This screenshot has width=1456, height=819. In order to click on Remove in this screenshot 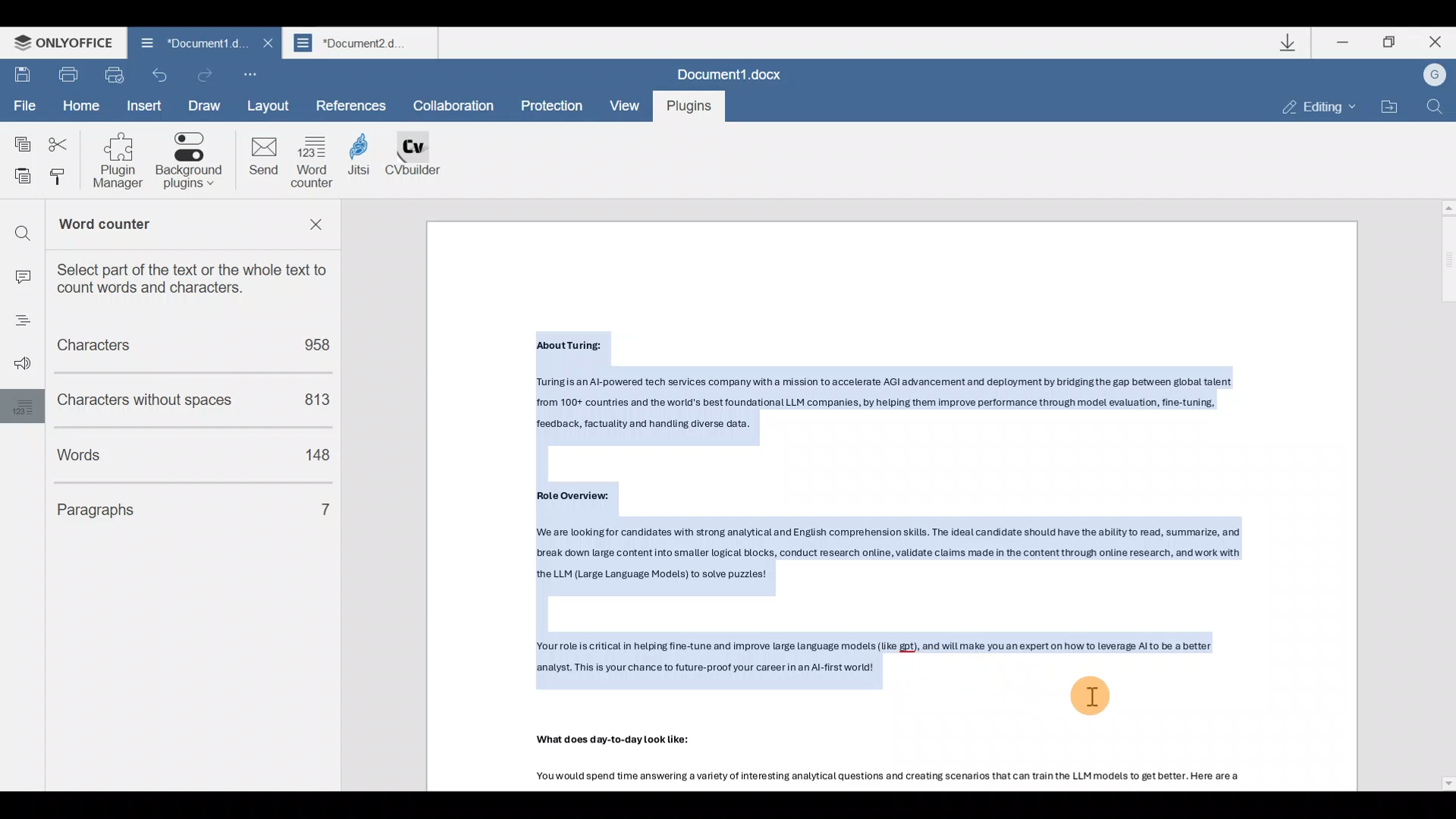, I will do `click(320, 228)`.